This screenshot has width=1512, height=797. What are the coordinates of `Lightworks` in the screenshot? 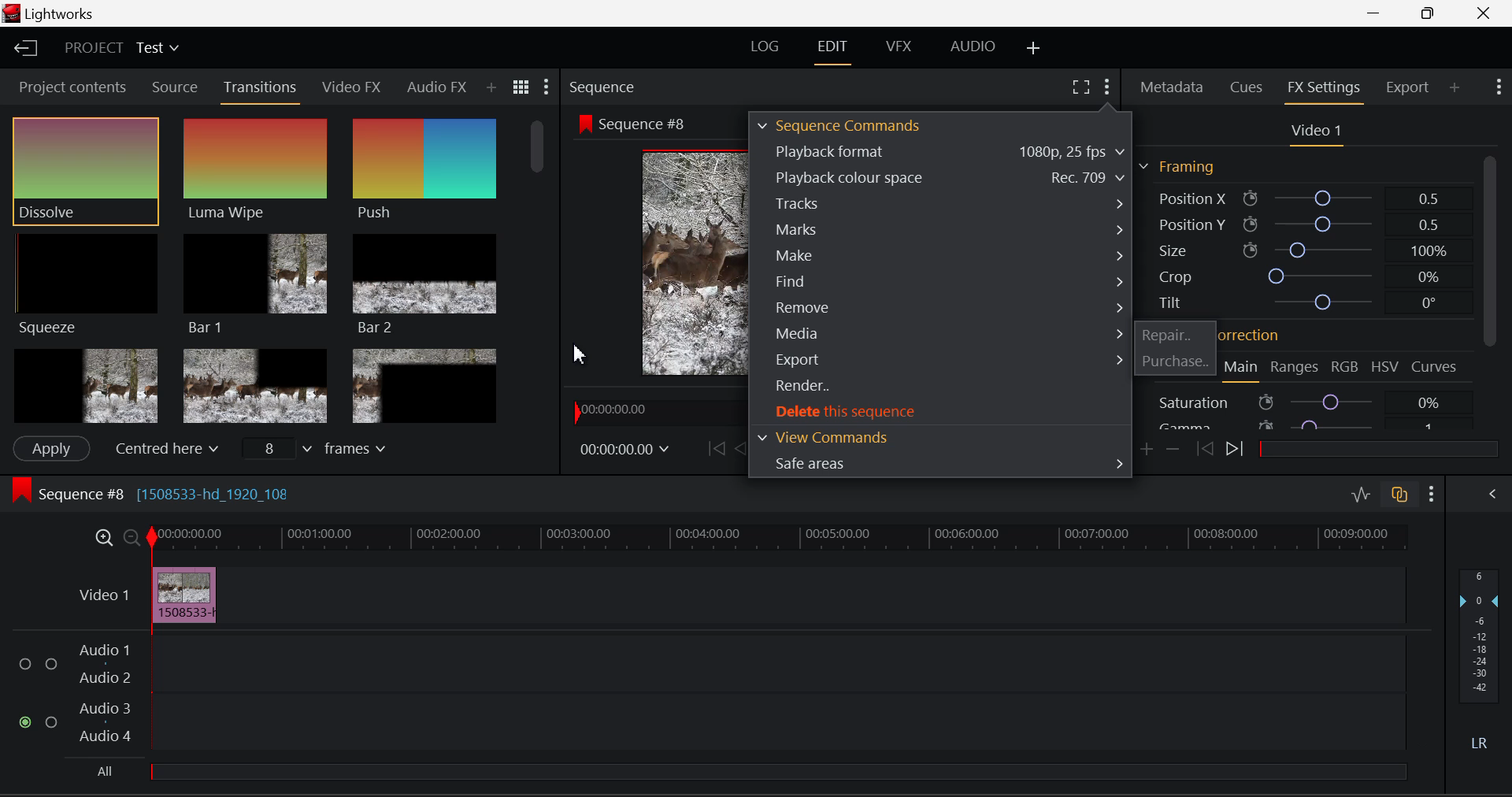 It's located at (54, 13).